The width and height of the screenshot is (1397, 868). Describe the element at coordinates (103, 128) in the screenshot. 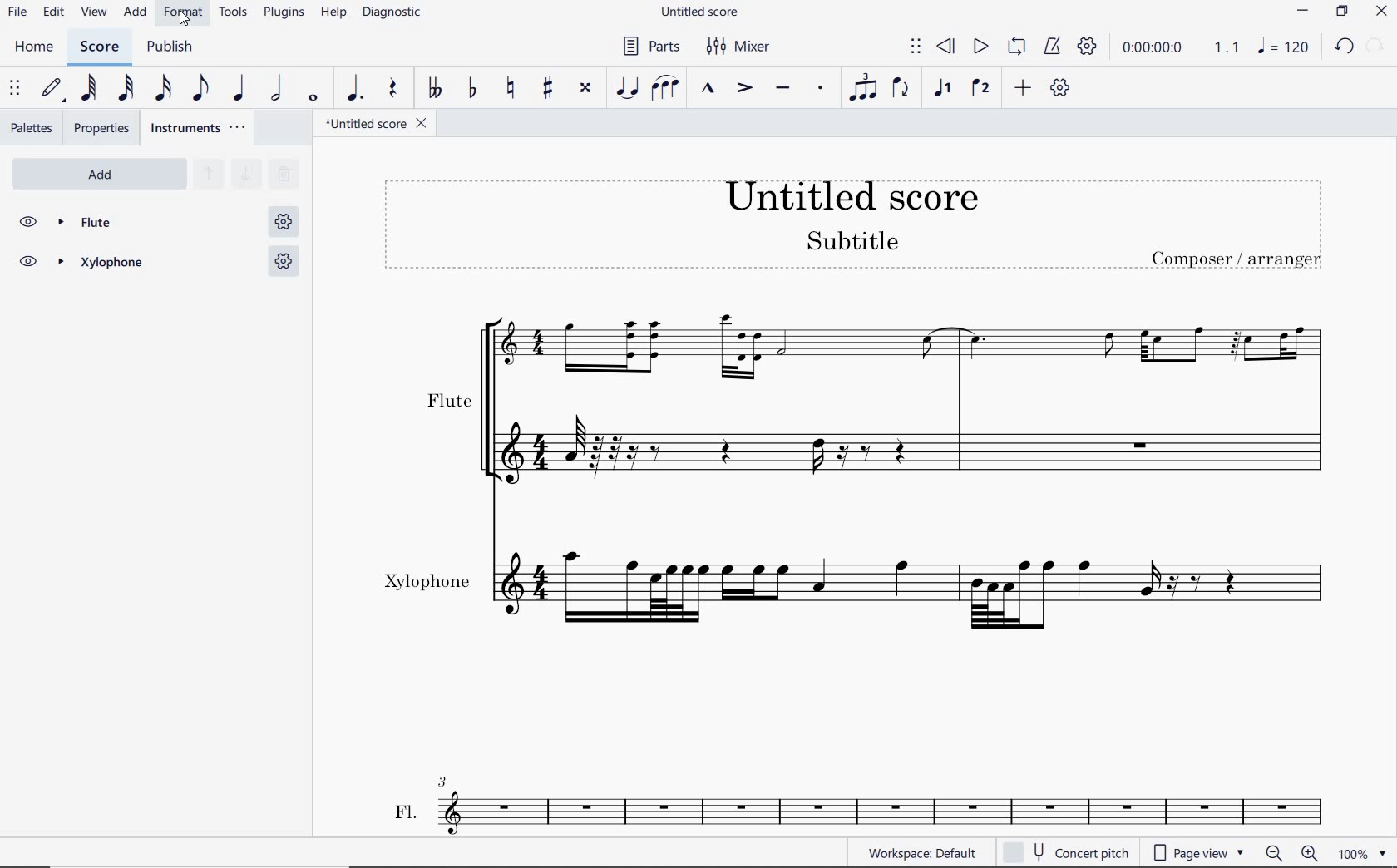

I see `PROPERTIES` at that location.